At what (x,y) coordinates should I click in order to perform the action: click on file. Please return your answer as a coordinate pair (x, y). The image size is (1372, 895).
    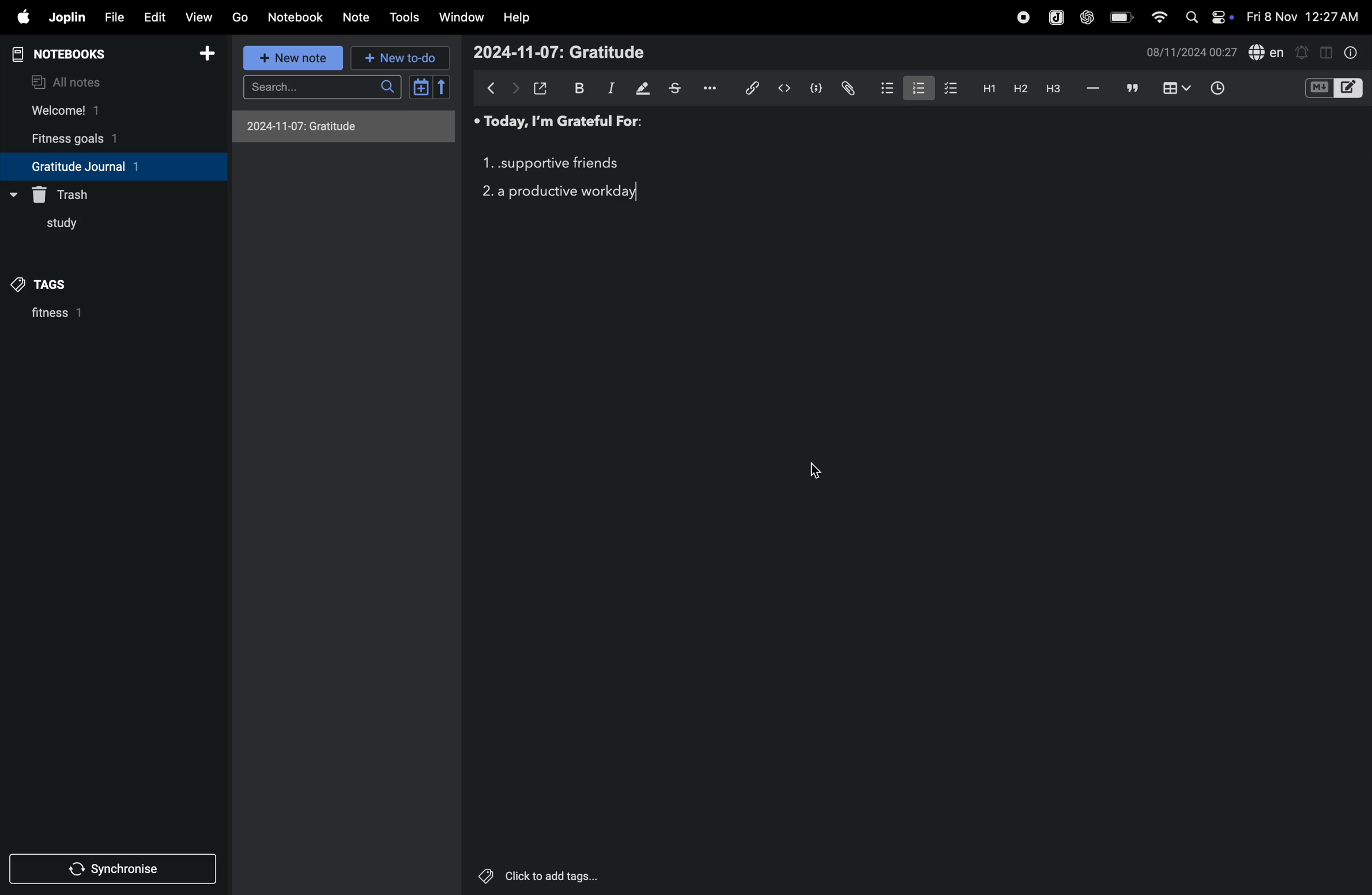
    Looking at the image, I should click on (114, 17).